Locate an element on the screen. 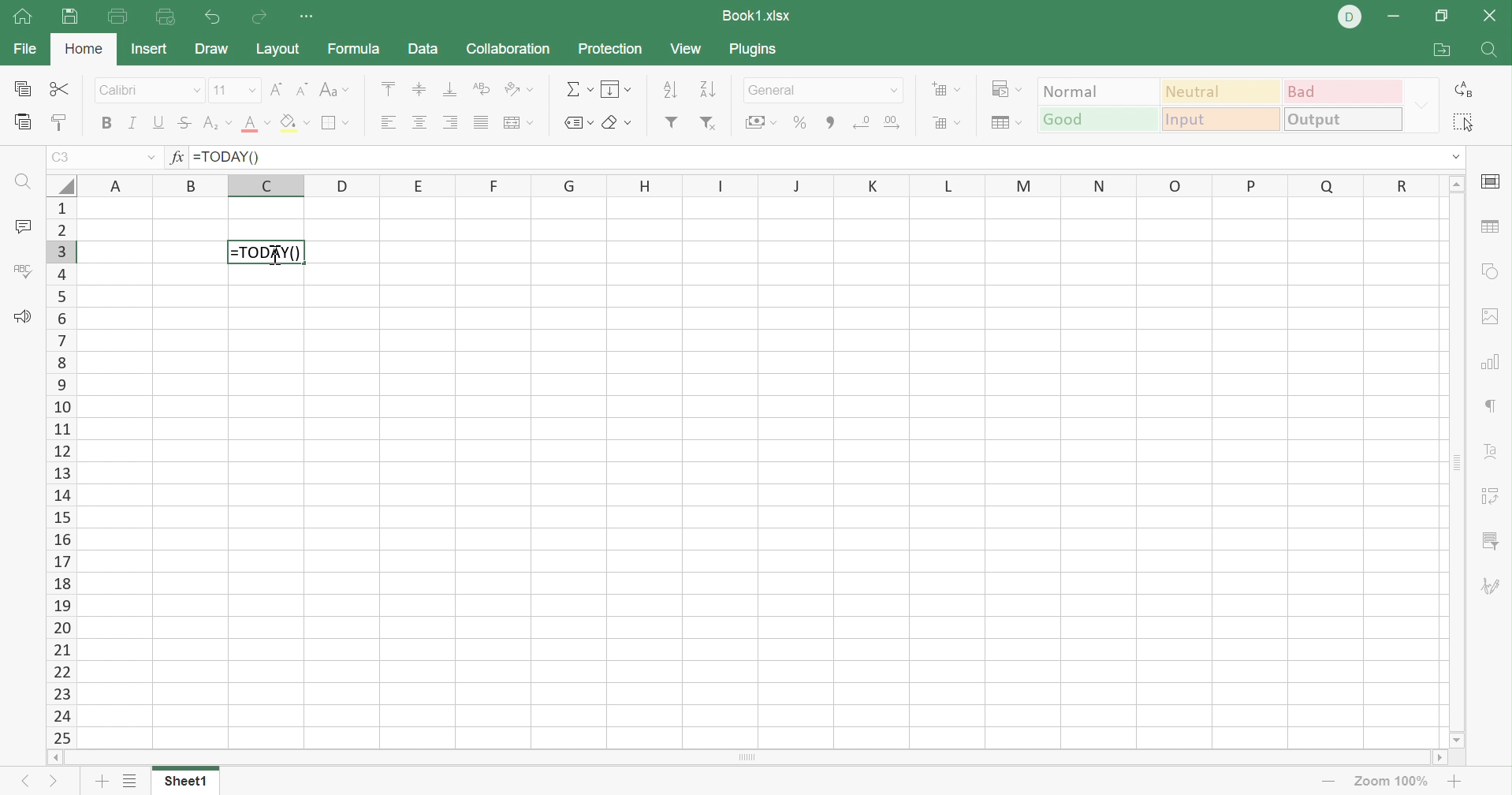 Image resolution: width=1512 pixels, height=795 pixels. Insert cells is located at coordinates (944, 88).